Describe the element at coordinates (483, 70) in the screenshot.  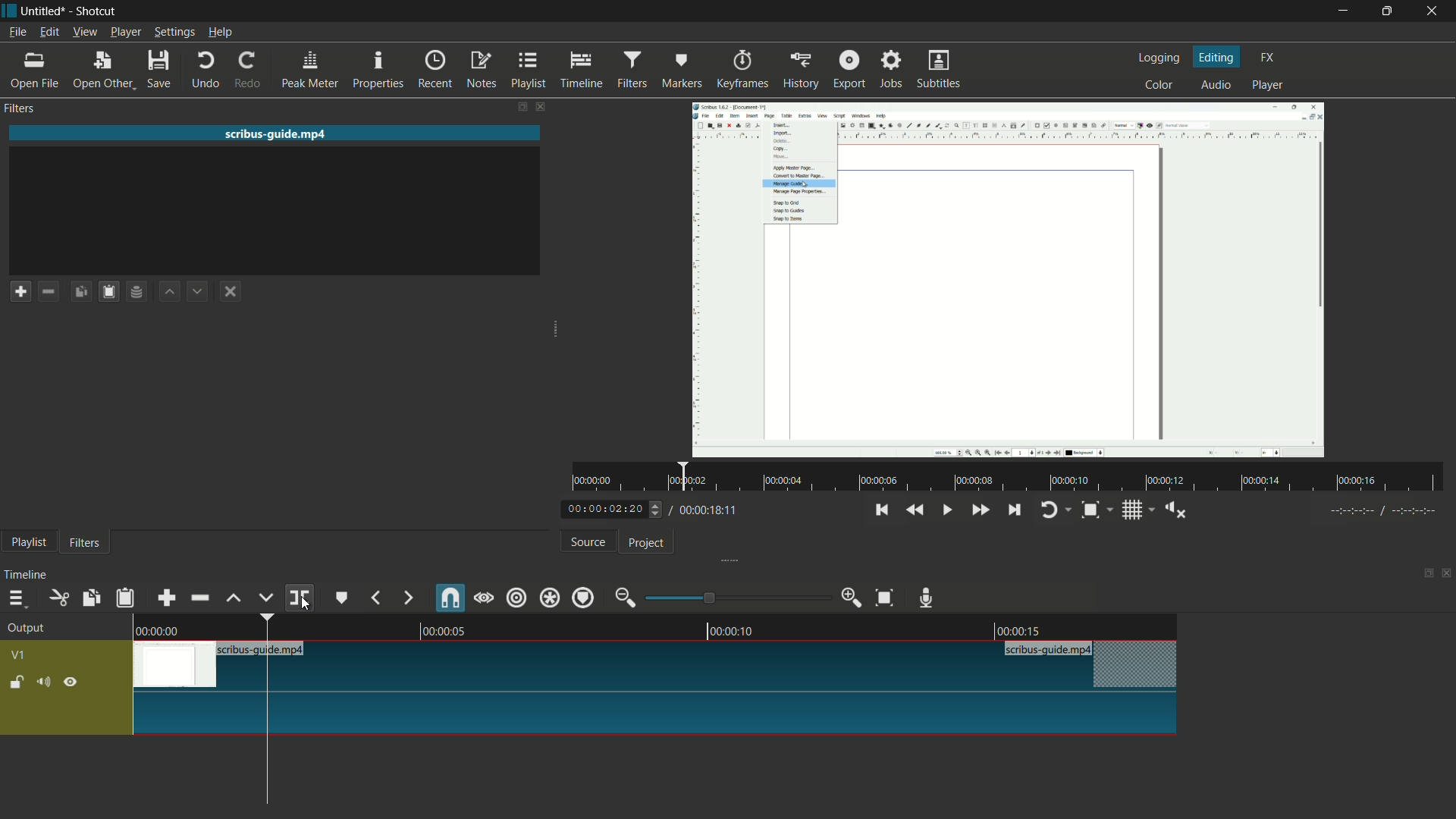
I see `notes` at that location.